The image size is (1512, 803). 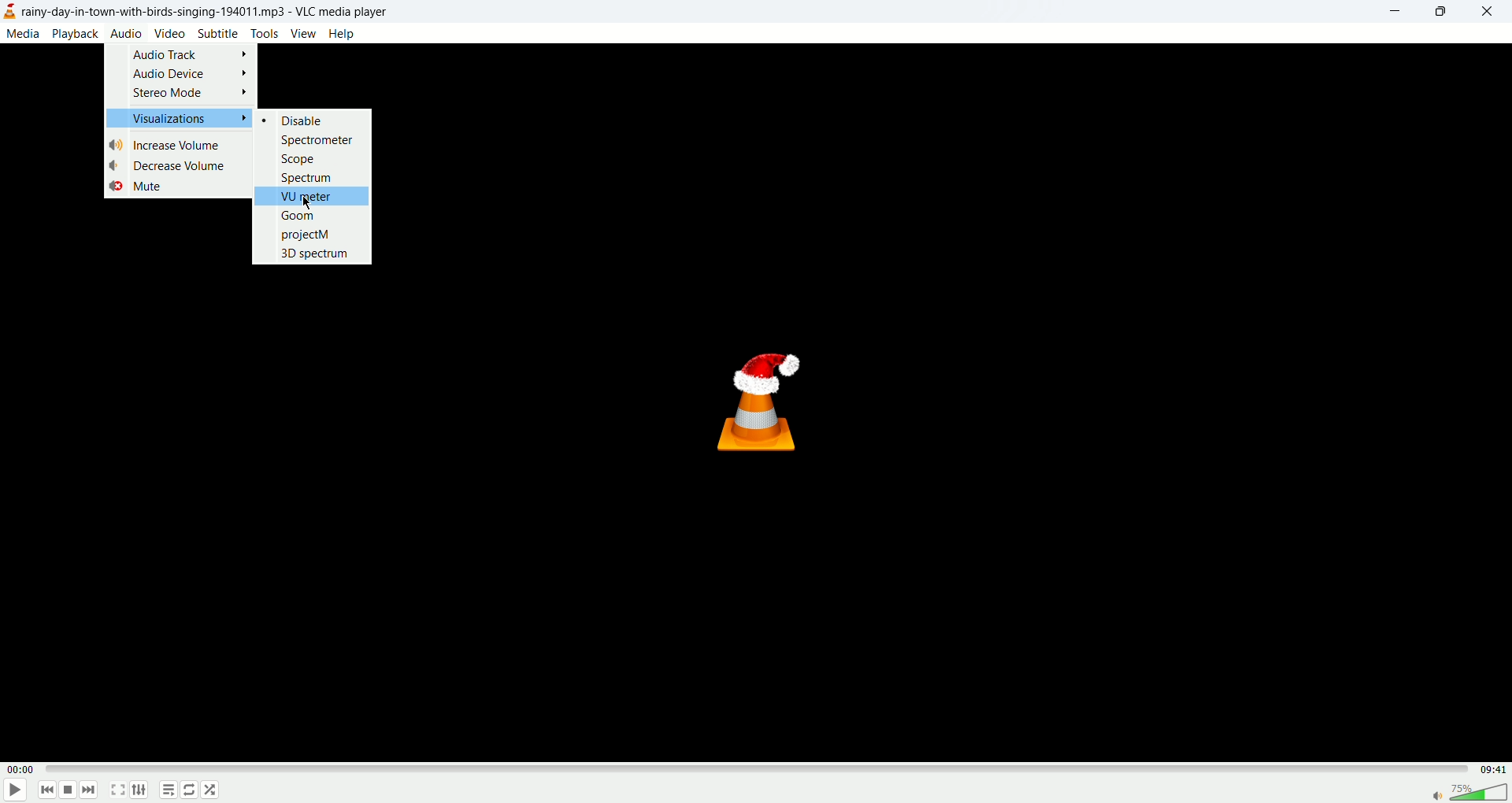 What do you see at coordinates (188, 55) in the screenshot?
I see `audio track` at bounding box center [188, 55].